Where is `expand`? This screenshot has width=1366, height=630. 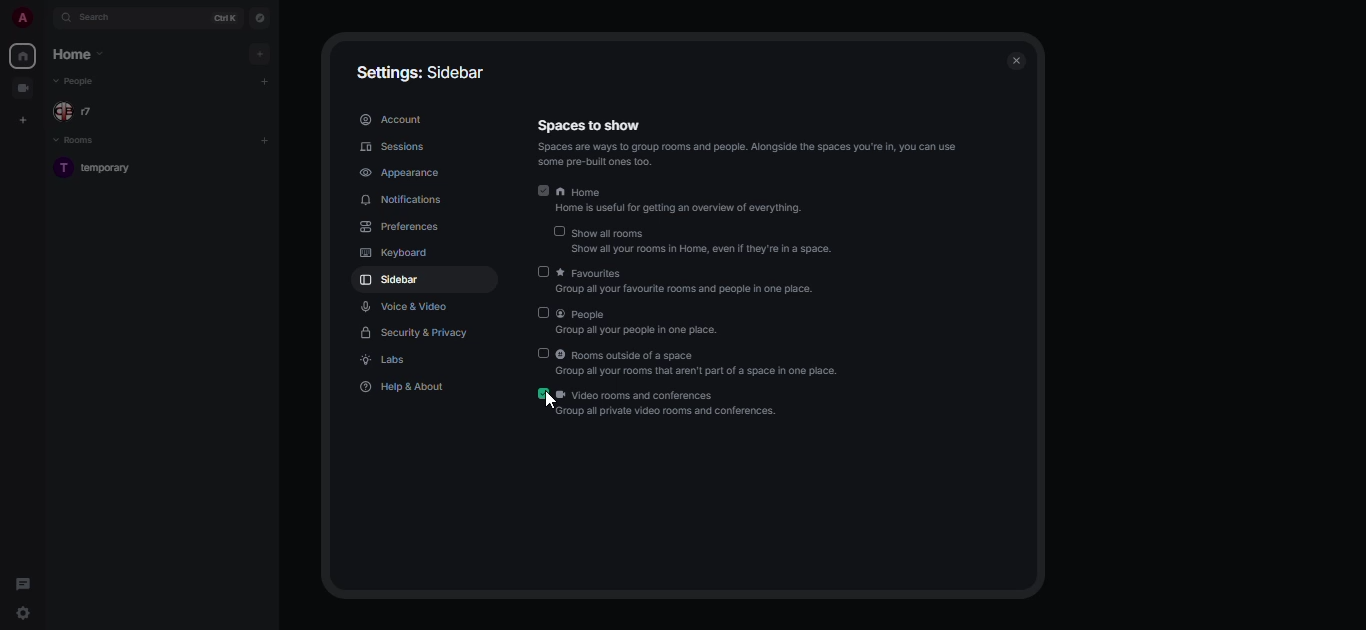 expand is located at coordinates (45, 19).